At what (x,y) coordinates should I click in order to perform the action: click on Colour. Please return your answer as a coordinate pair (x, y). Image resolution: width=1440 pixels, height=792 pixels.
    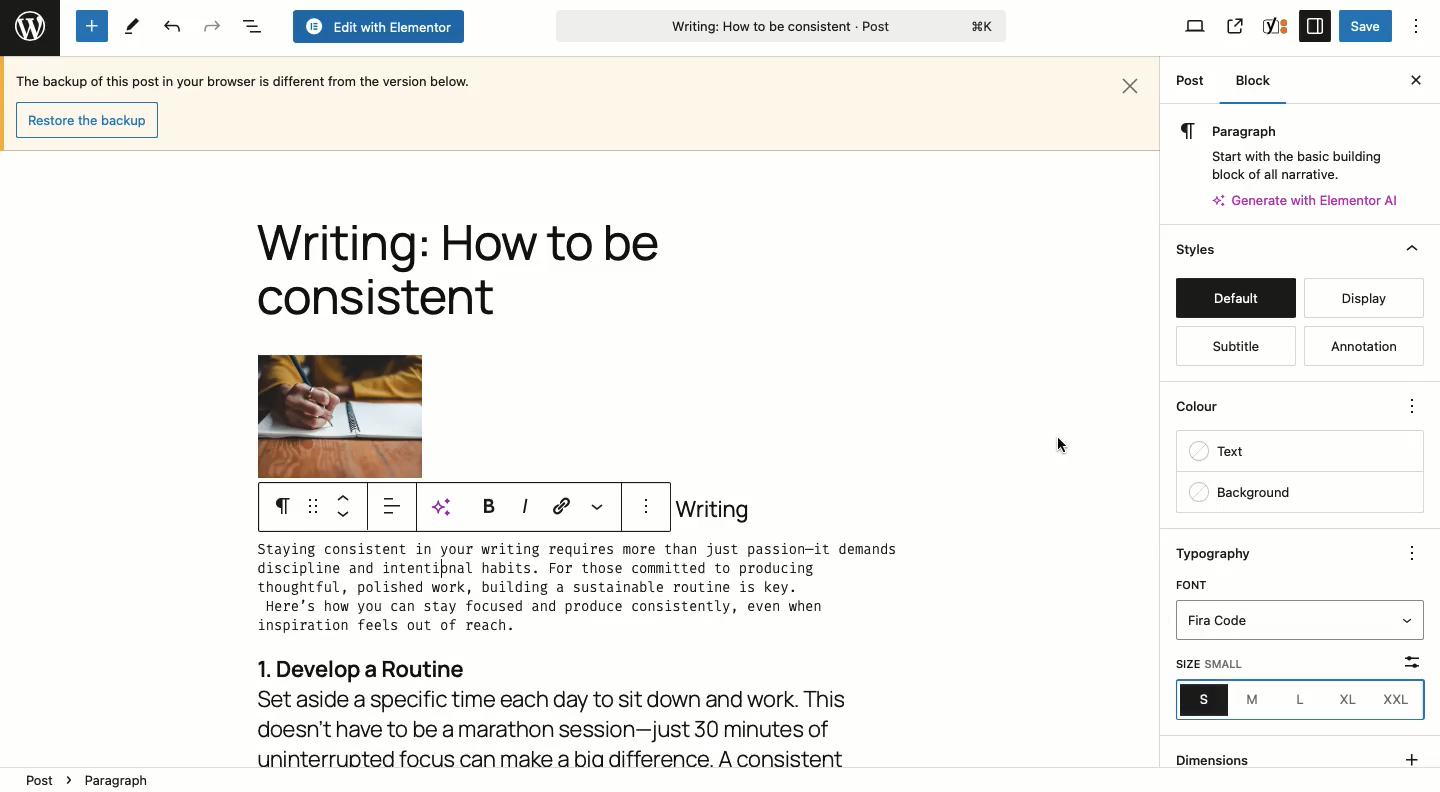
    Looking at the image, I should click on (1283, 404).